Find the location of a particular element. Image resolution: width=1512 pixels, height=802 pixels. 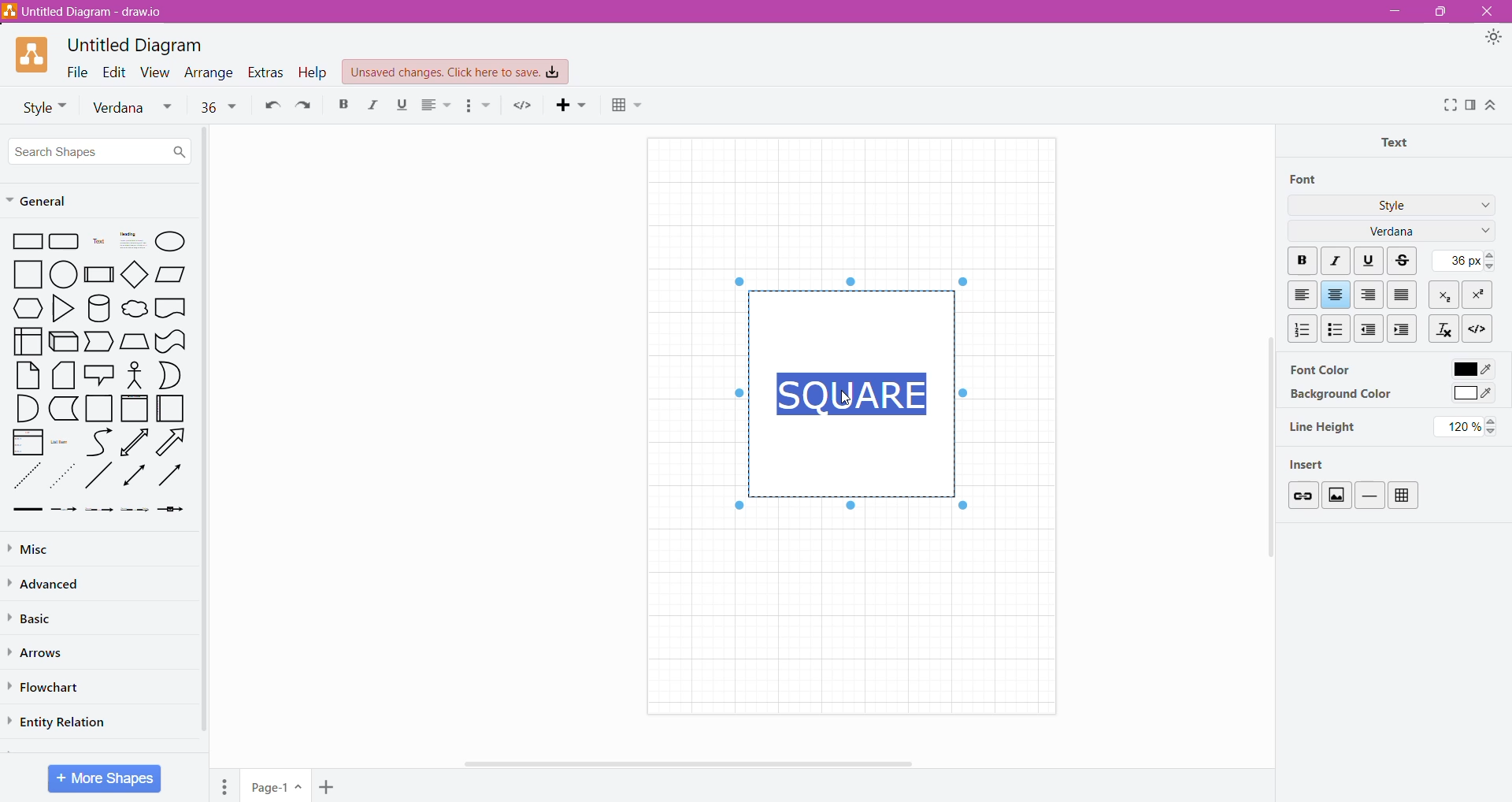

Block is located at coordinates (1403, 294).